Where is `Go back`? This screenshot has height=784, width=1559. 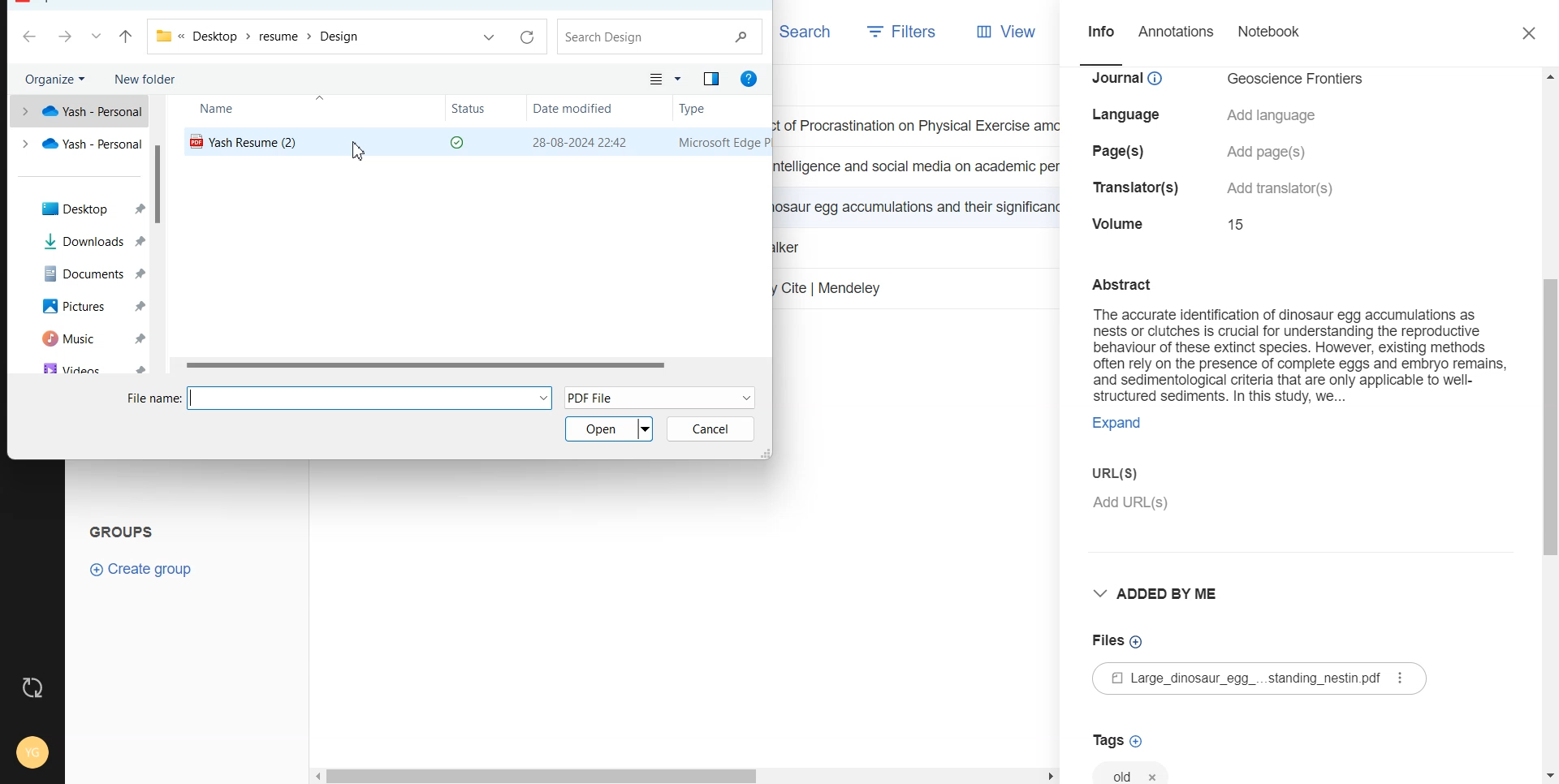
Go back is located at coordinates (31, 37).